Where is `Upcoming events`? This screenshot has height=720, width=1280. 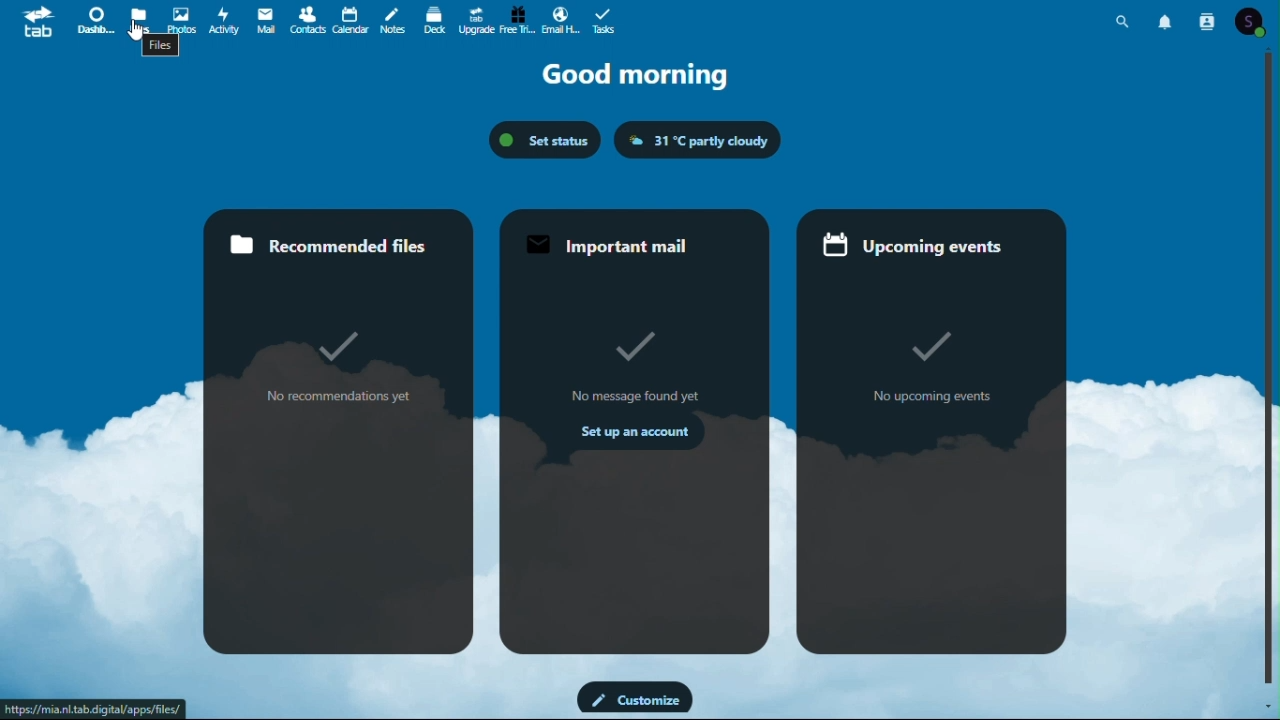
Upcoming events is located at coordinates (930, 247).